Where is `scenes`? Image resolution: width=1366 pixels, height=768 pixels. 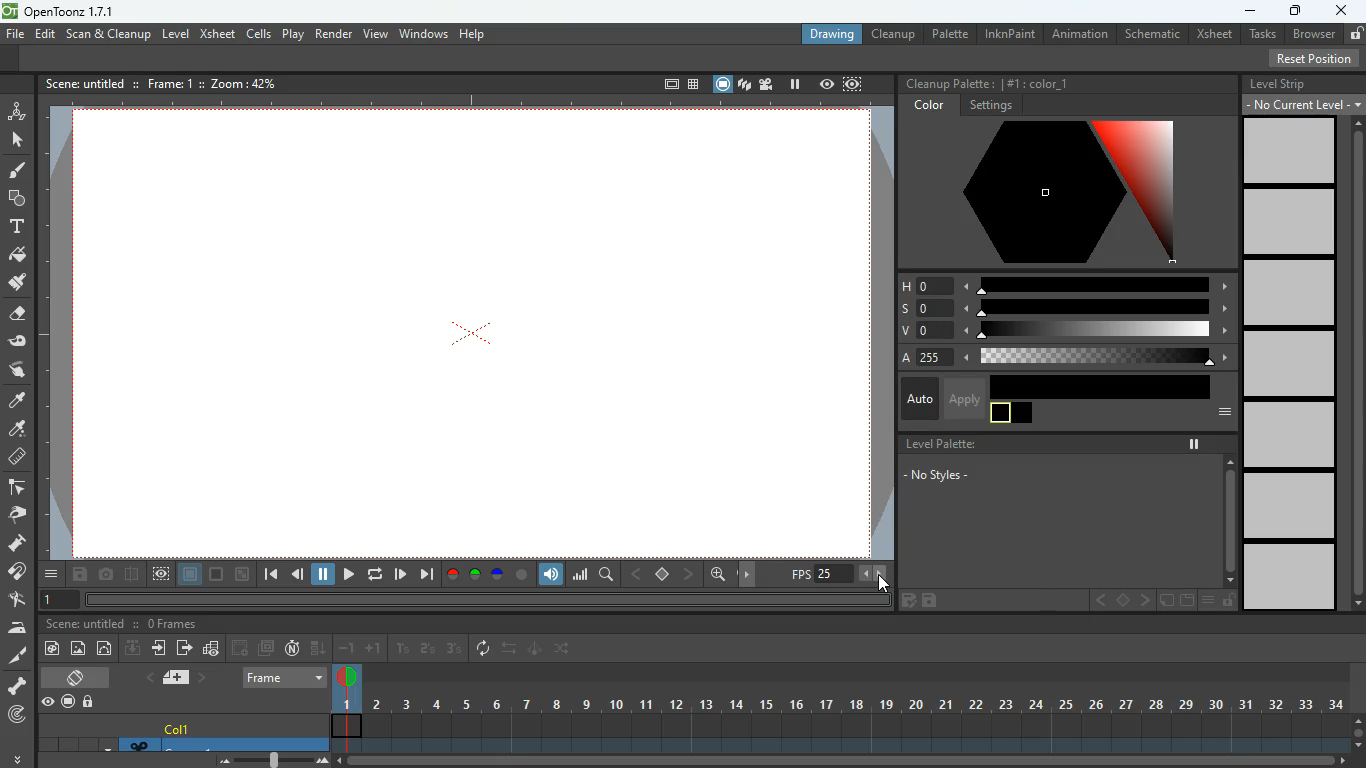
scenes is located at coordinates (744, 84).